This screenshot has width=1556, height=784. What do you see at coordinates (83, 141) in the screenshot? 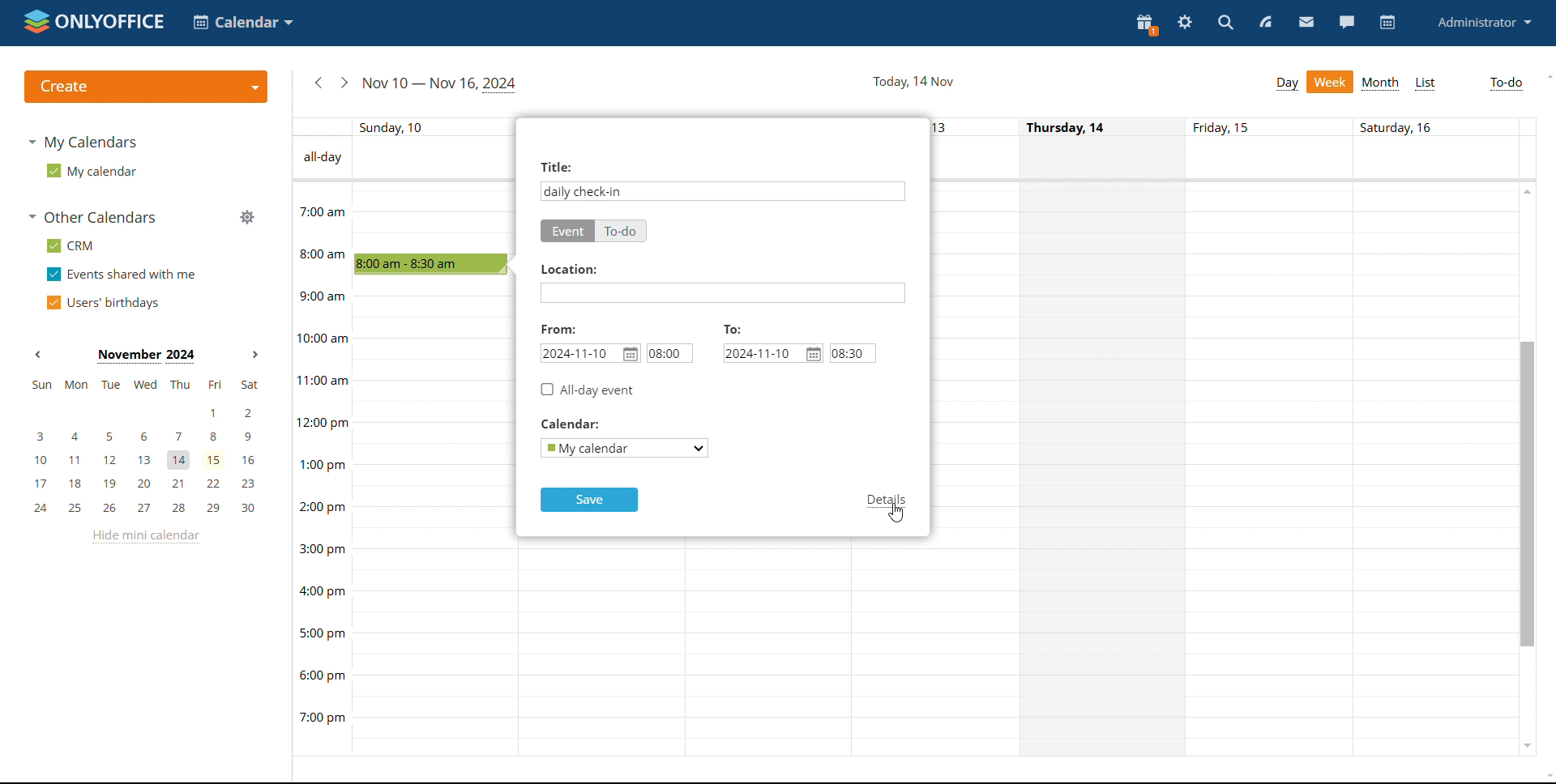
I see `my calendars` at bounding box center [83, 141].